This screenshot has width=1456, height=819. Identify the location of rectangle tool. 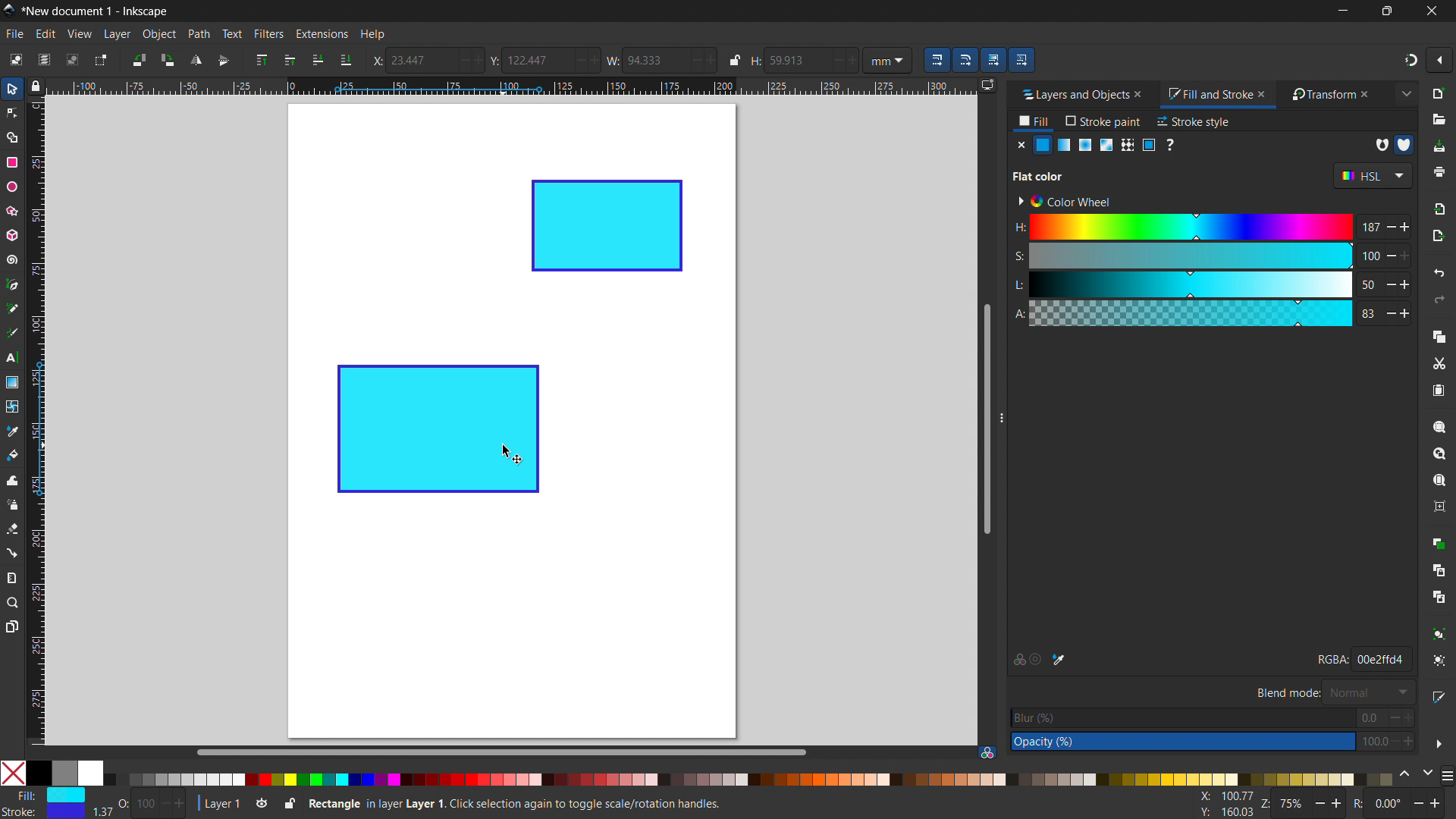
(12, 162).